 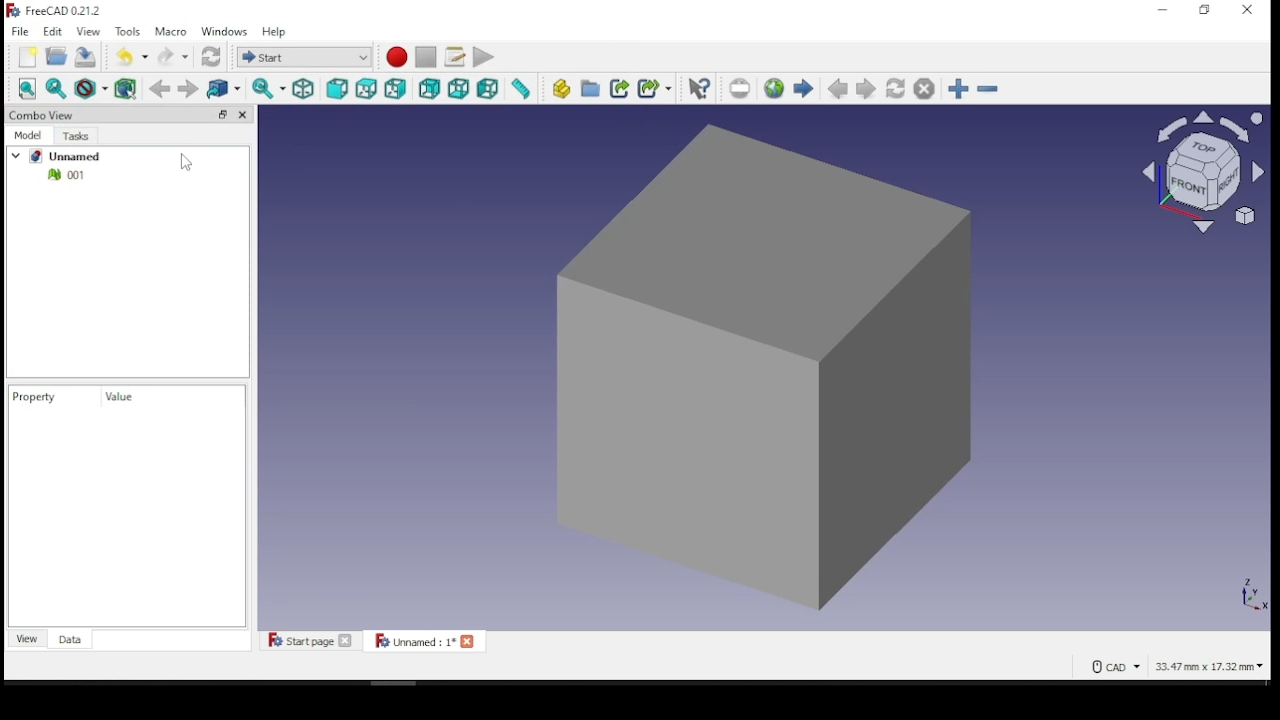 I want to click on switch between workbenches, so click(x=305, y=57).